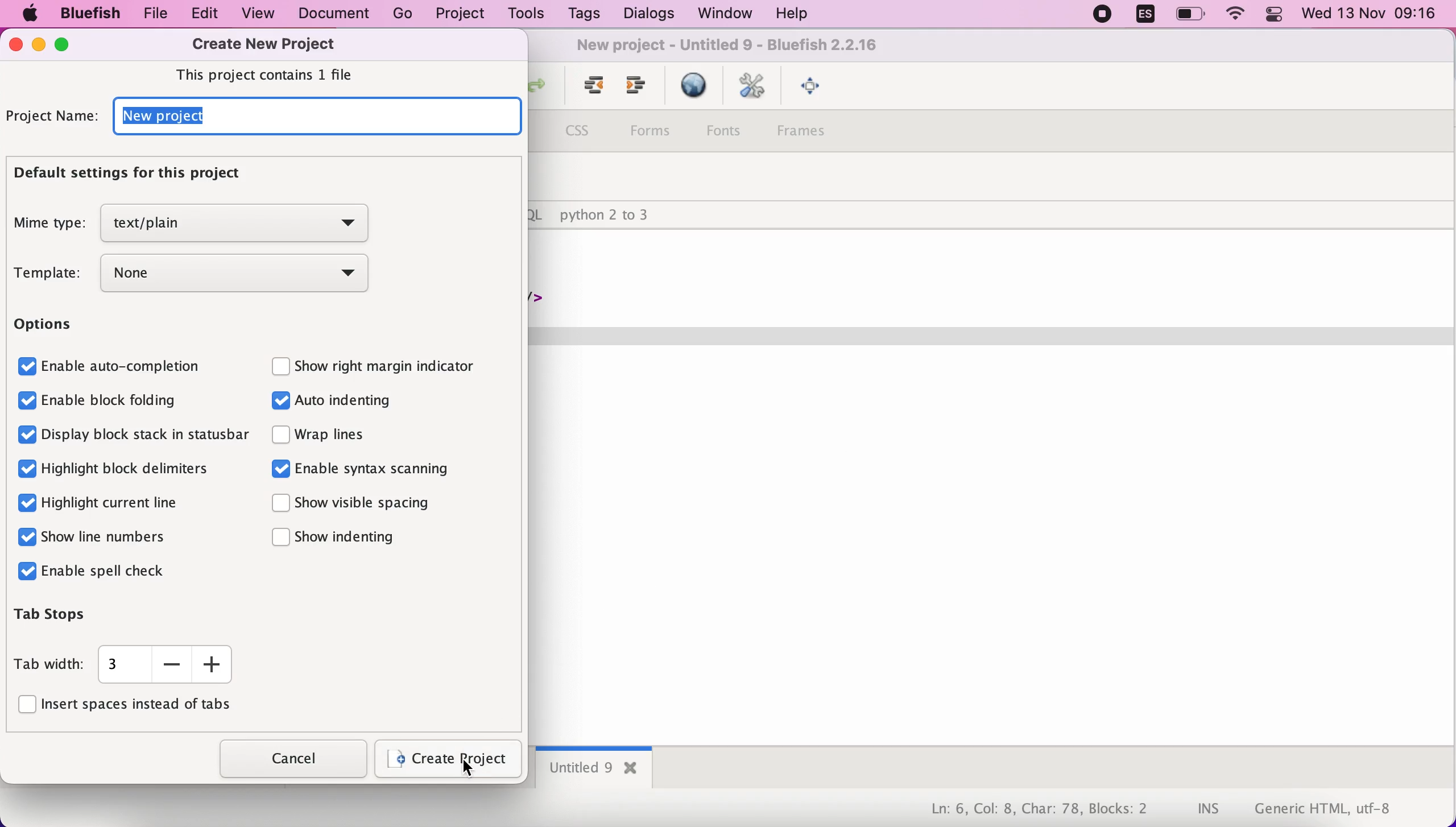 This screenshot has height=827, width=1456. What do you see at coordinates (101, 400) in the screenshot?
I see `enable block folding checkbox` at bounding box center [101, 400].